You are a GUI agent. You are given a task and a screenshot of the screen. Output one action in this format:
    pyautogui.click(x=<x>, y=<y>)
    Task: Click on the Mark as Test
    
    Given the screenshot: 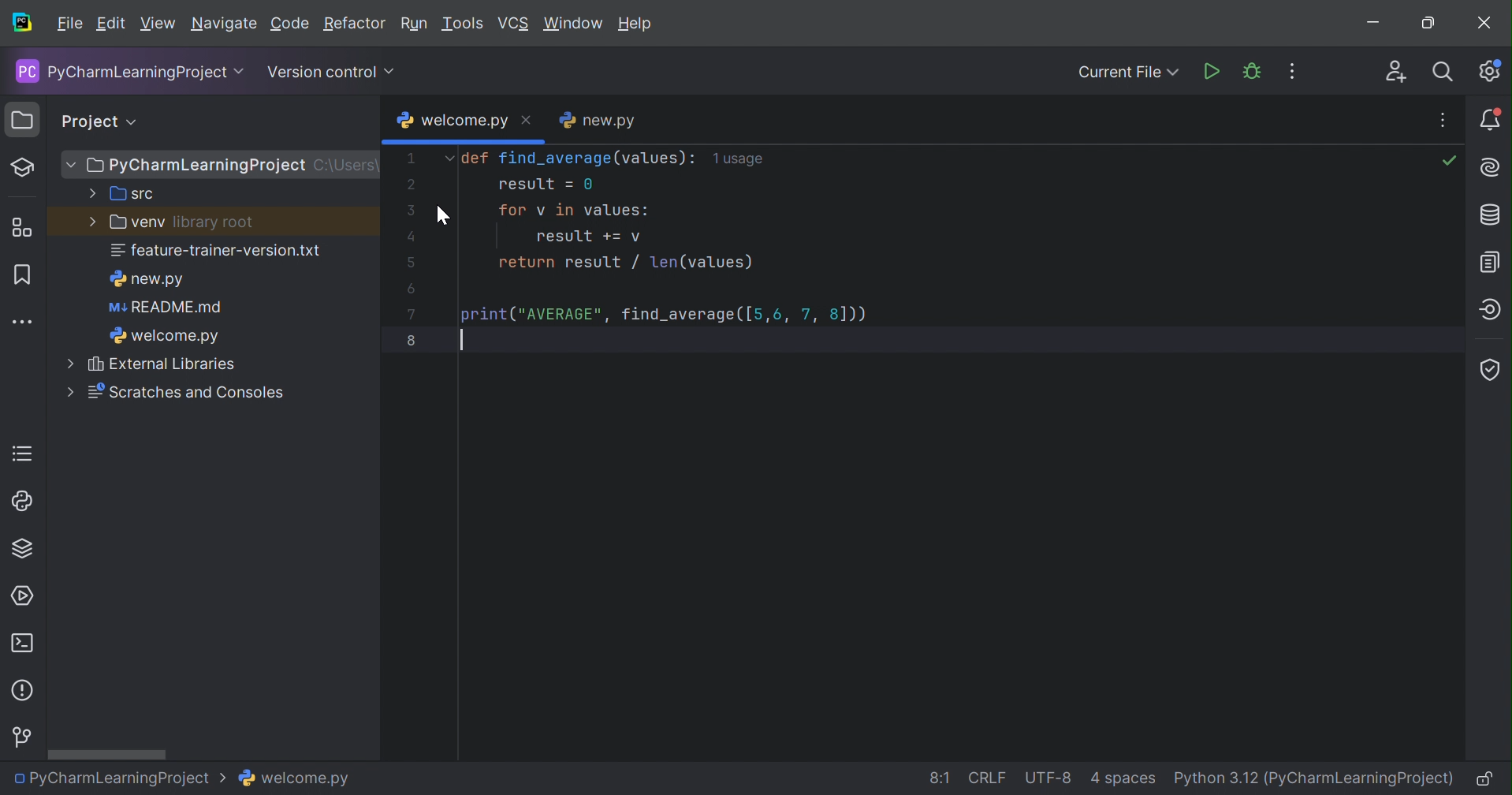 What is the action you would take?
    pyautogui.click(x=23, y=168)
    